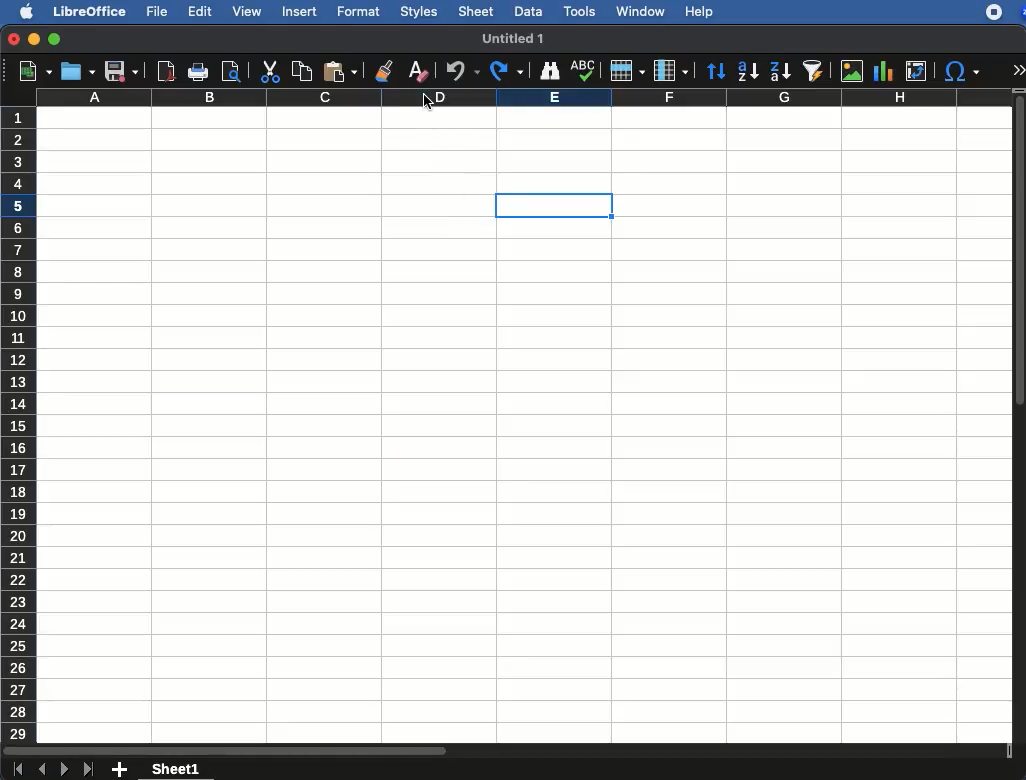 The width and height of the screenshot is (1026, 780). Describe the element at coordinates (233, 71) in the screenshot. I see `print preview` at that location.